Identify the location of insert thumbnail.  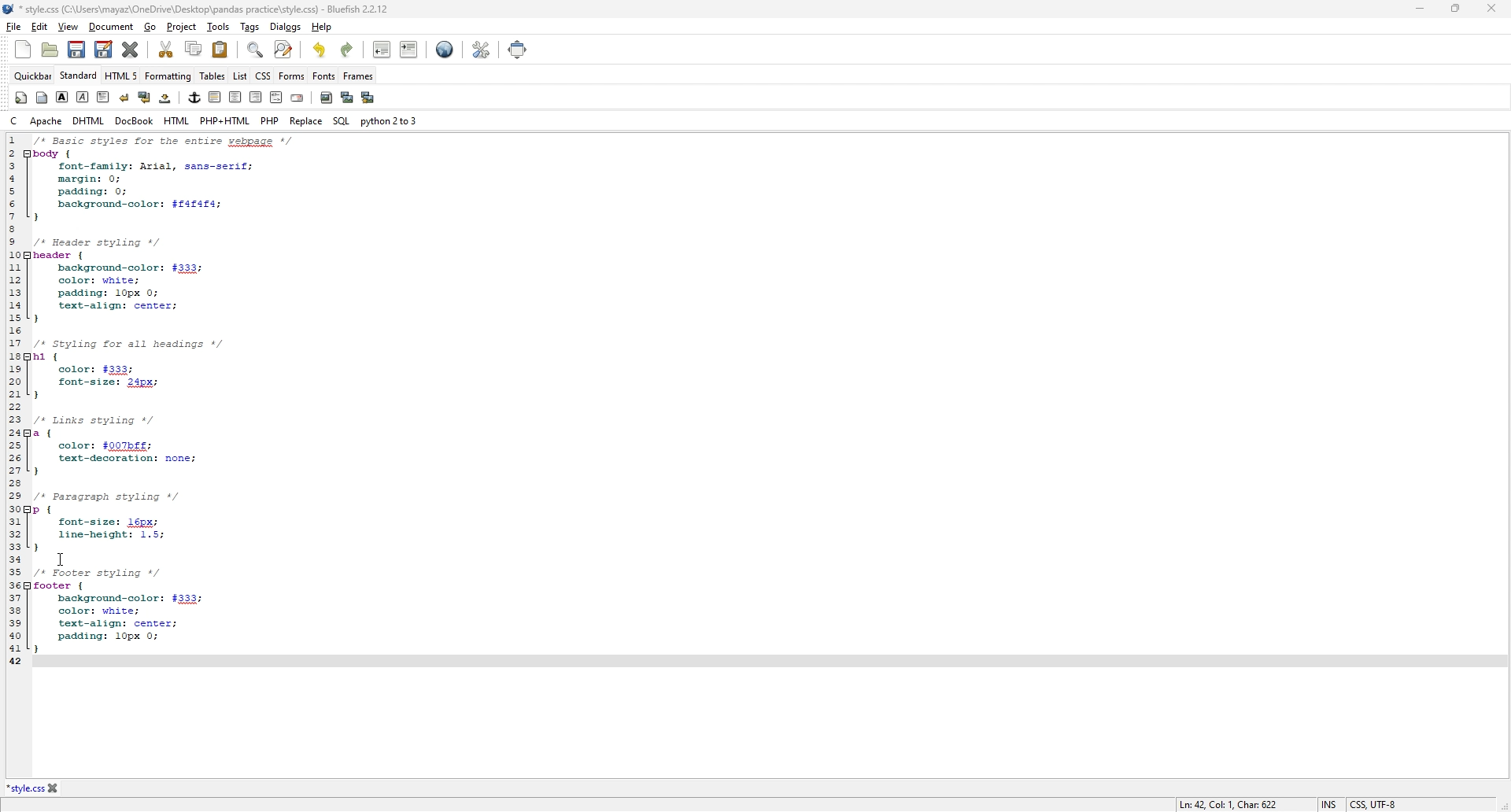
(346, 98).